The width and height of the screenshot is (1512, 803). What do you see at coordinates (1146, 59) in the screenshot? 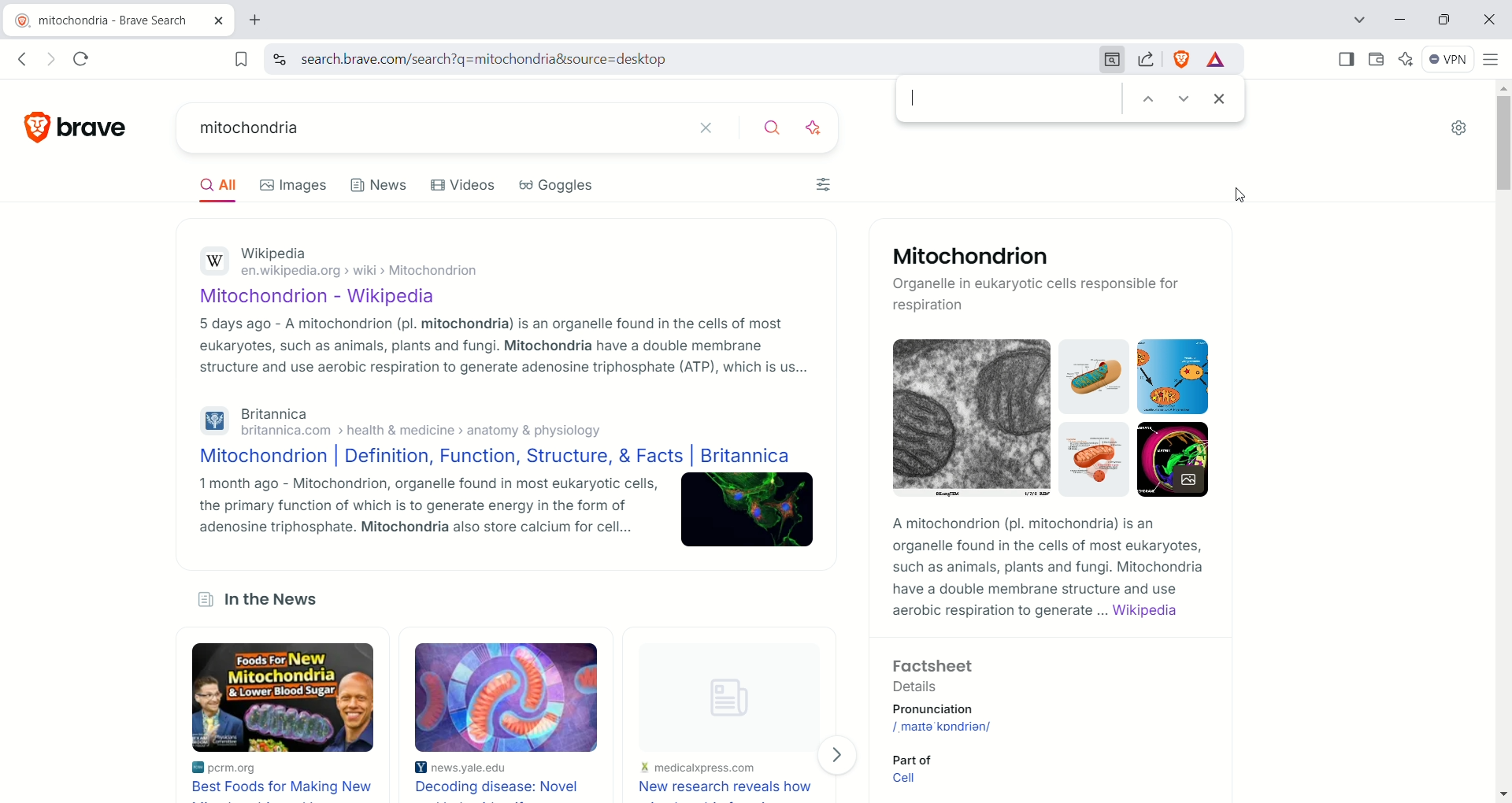
I see `share this page` at bounding box center [1146, 59].